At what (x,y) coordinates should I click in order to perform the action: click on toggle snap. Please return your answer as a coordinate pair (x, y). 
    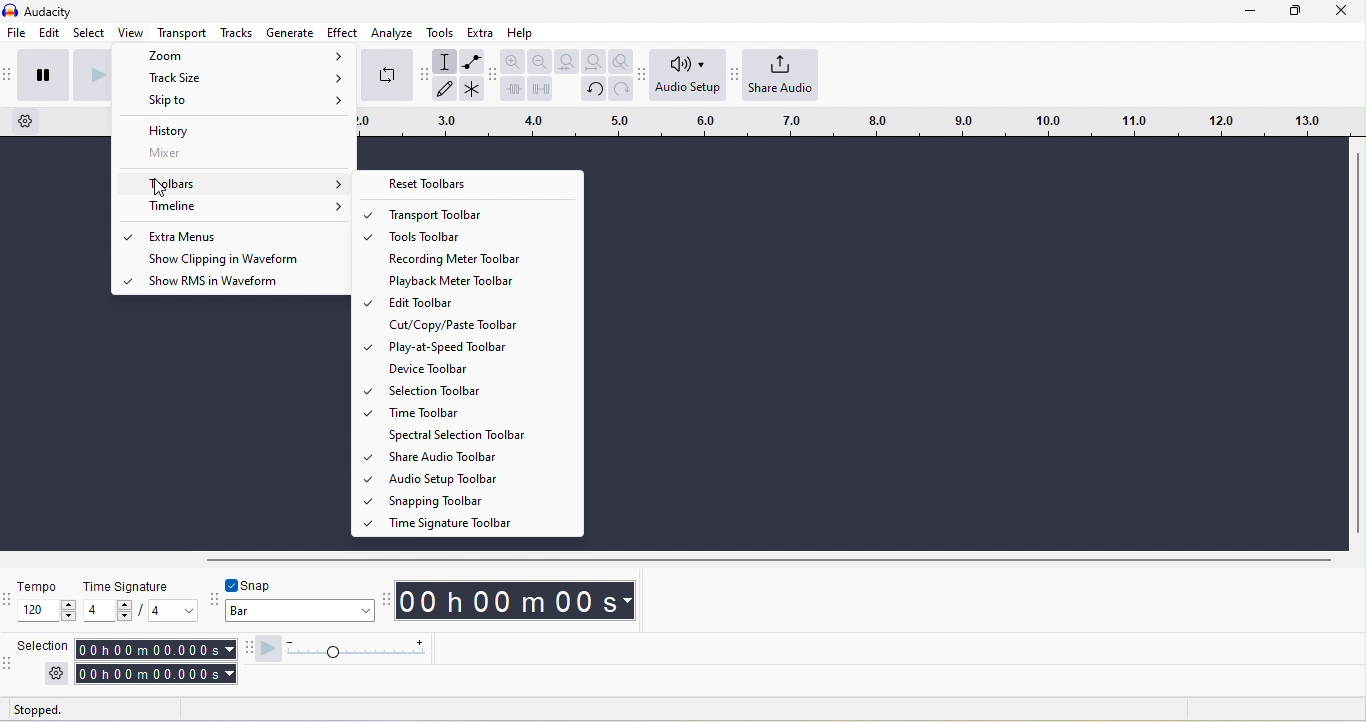
    Looking at the image, I should click on (250, 585).